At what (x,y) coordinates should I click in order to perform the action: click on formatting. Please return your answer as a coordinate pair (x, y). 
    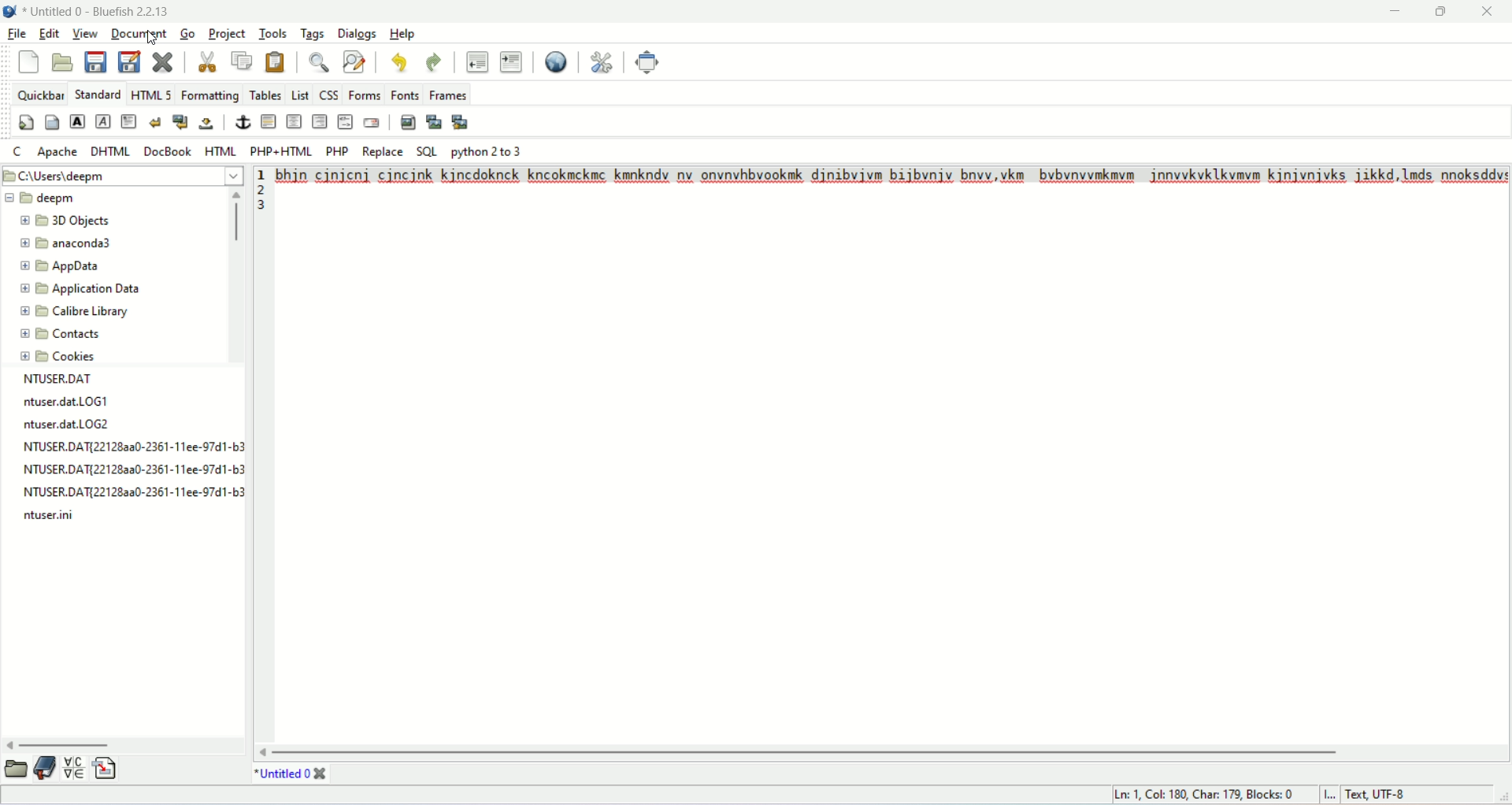
    Looking at the image, I should click on (210, 95).